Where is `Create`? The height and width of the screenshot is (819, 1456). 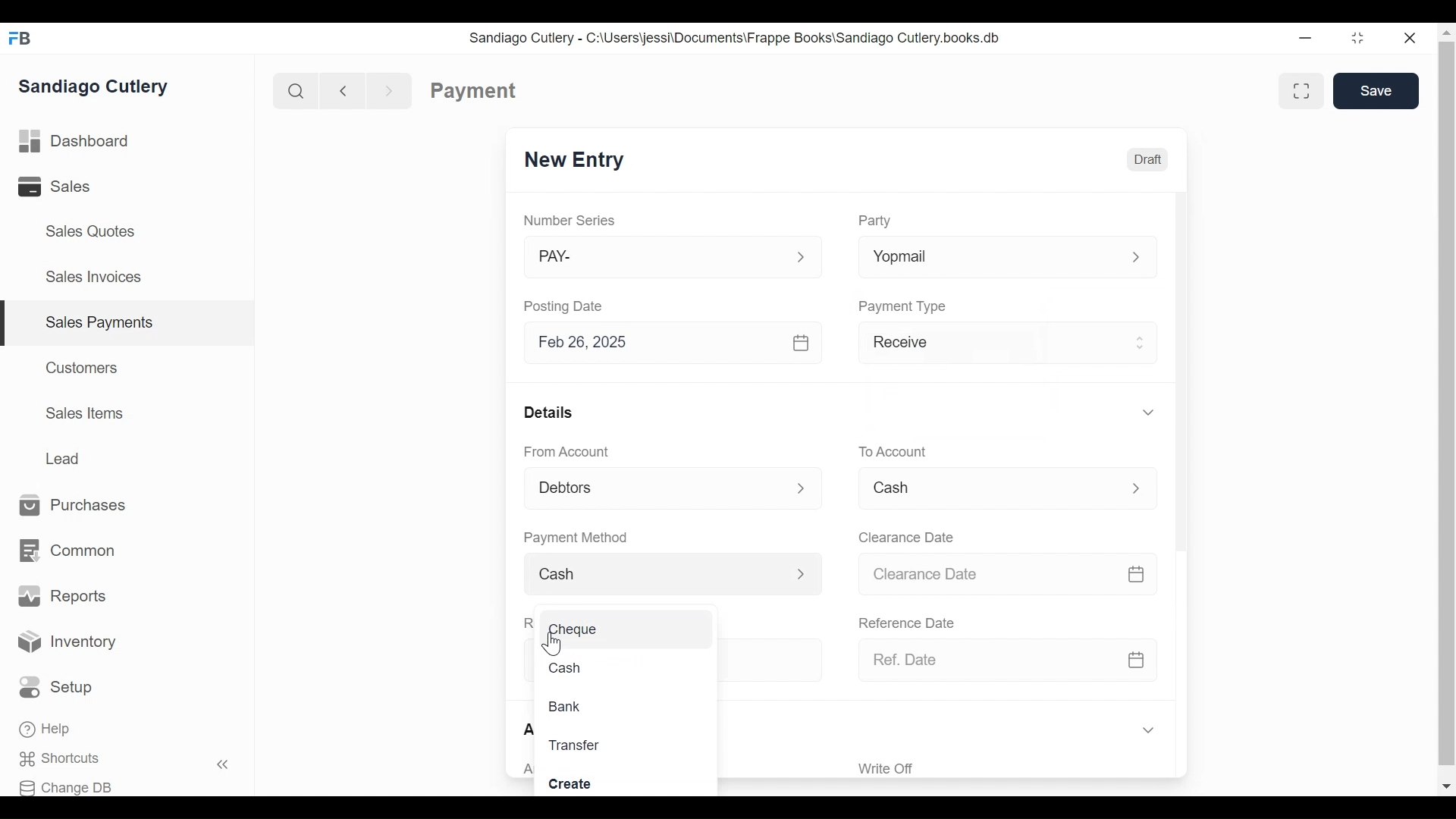 Create is located at coordinates (574, 782).